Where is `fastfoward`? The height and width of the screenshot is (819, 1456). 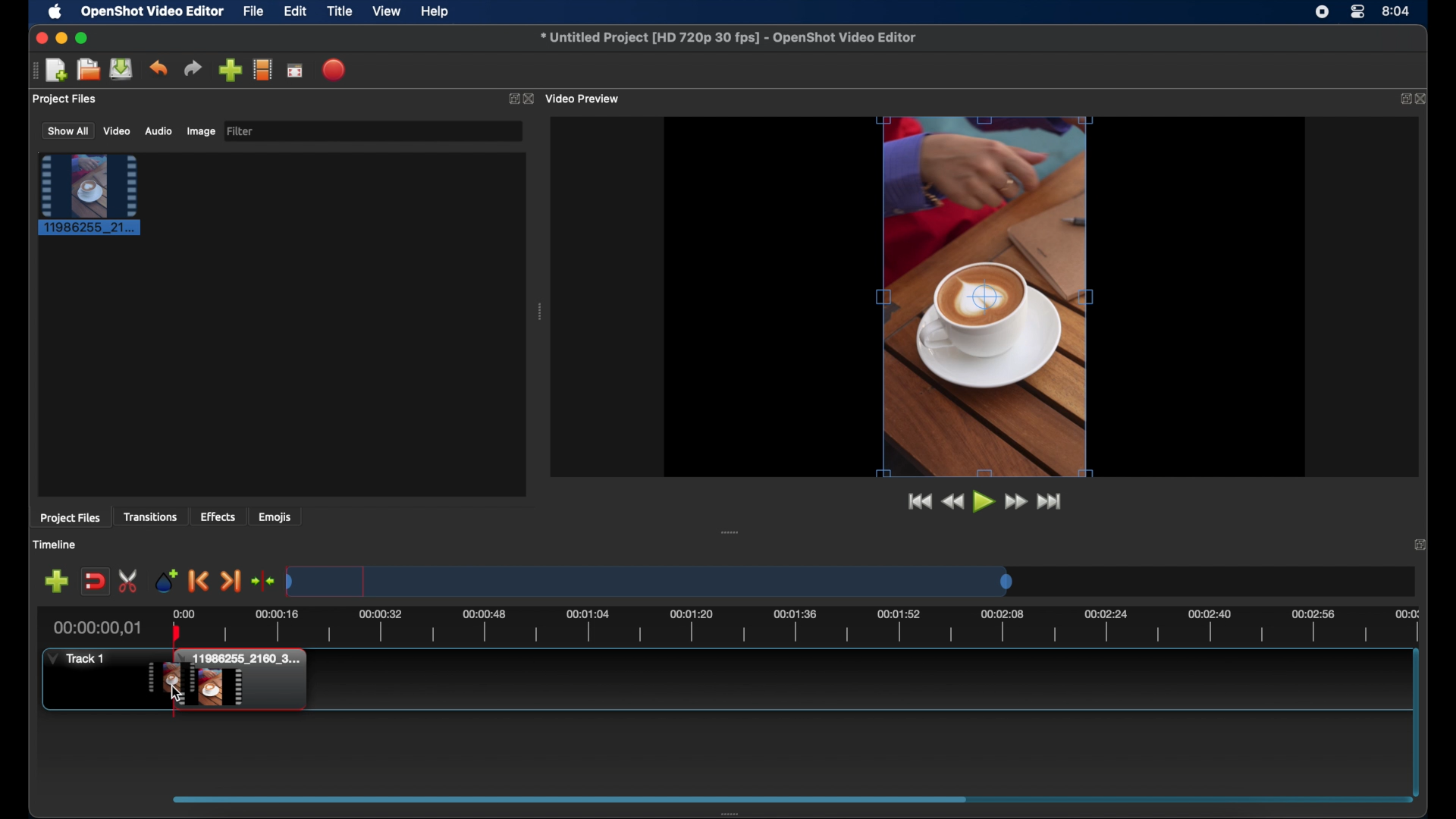
fastfoward is located at coordinates (1017, 501).